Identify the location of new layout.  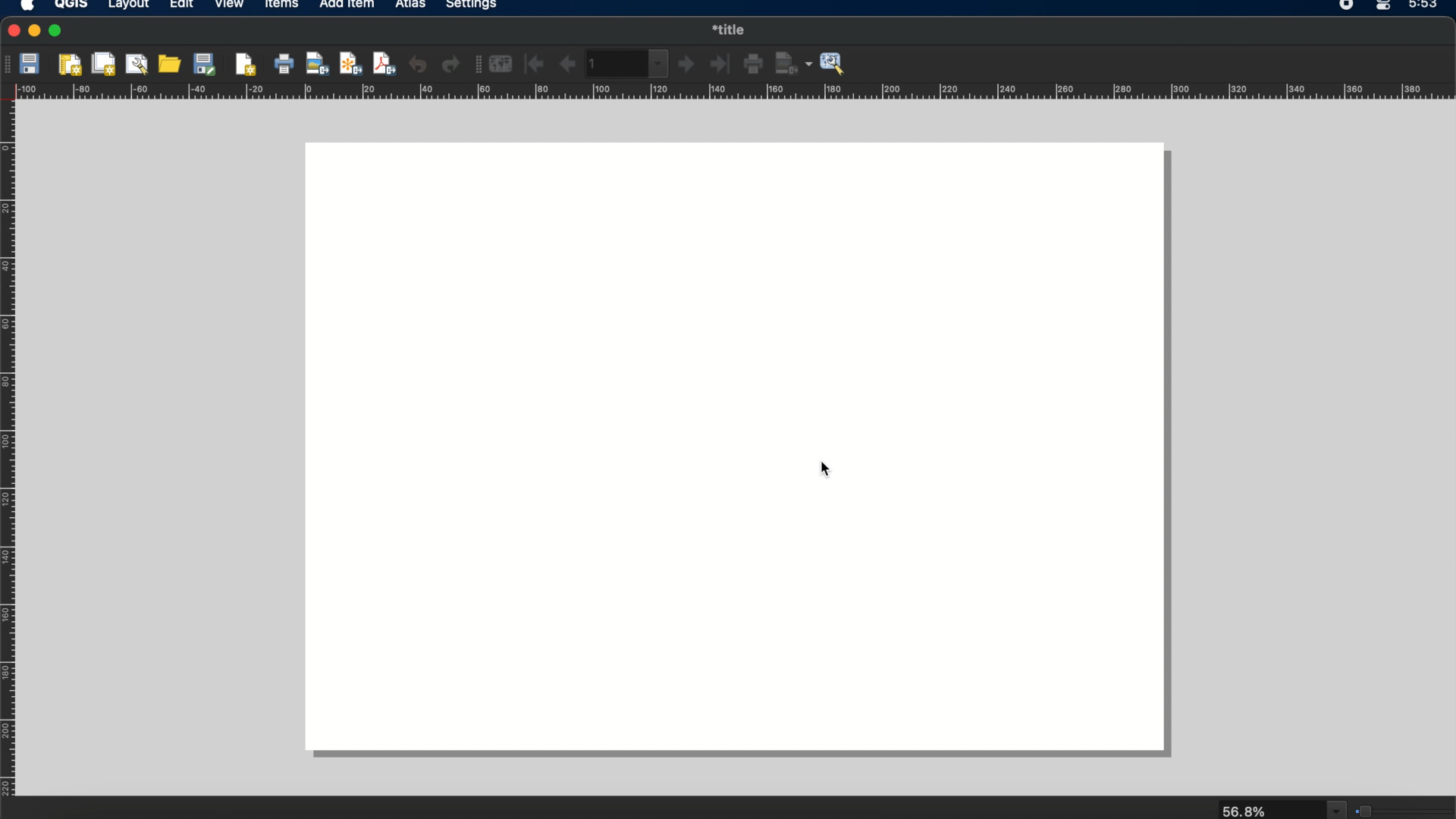
(67, 64).